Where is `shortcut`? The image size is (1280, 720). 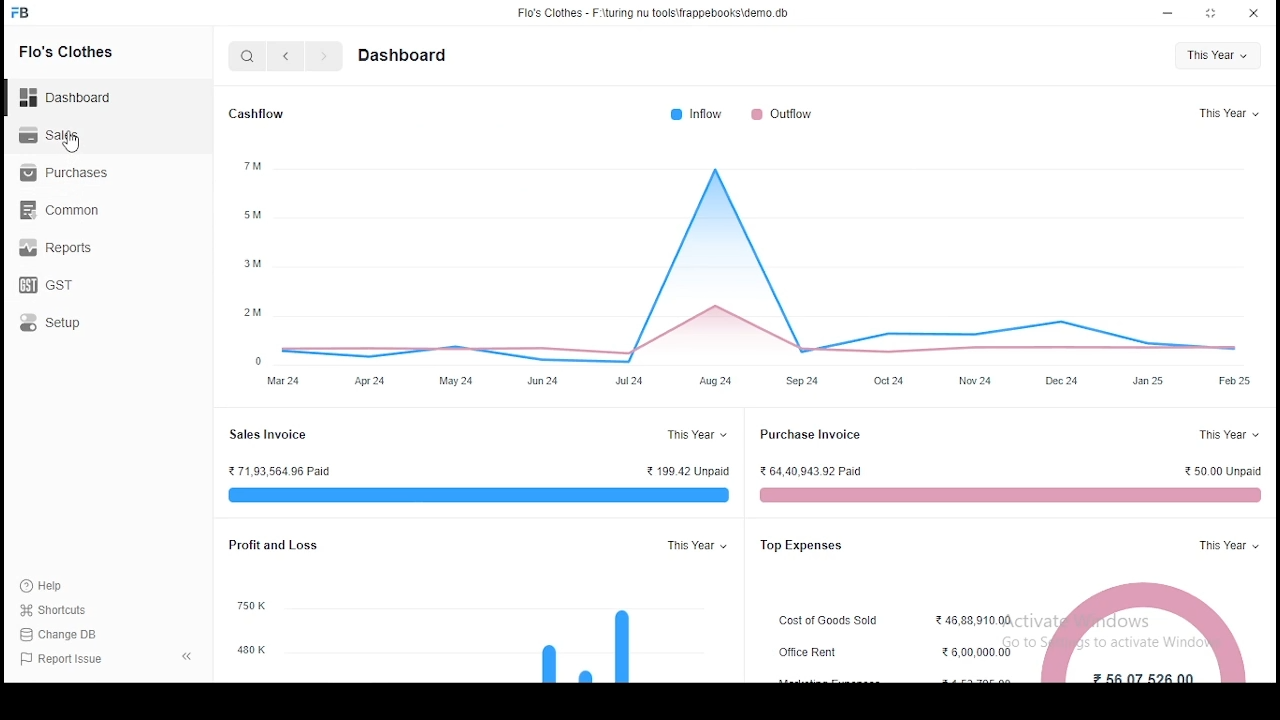
shortcut is located at coordinates (59, 611).